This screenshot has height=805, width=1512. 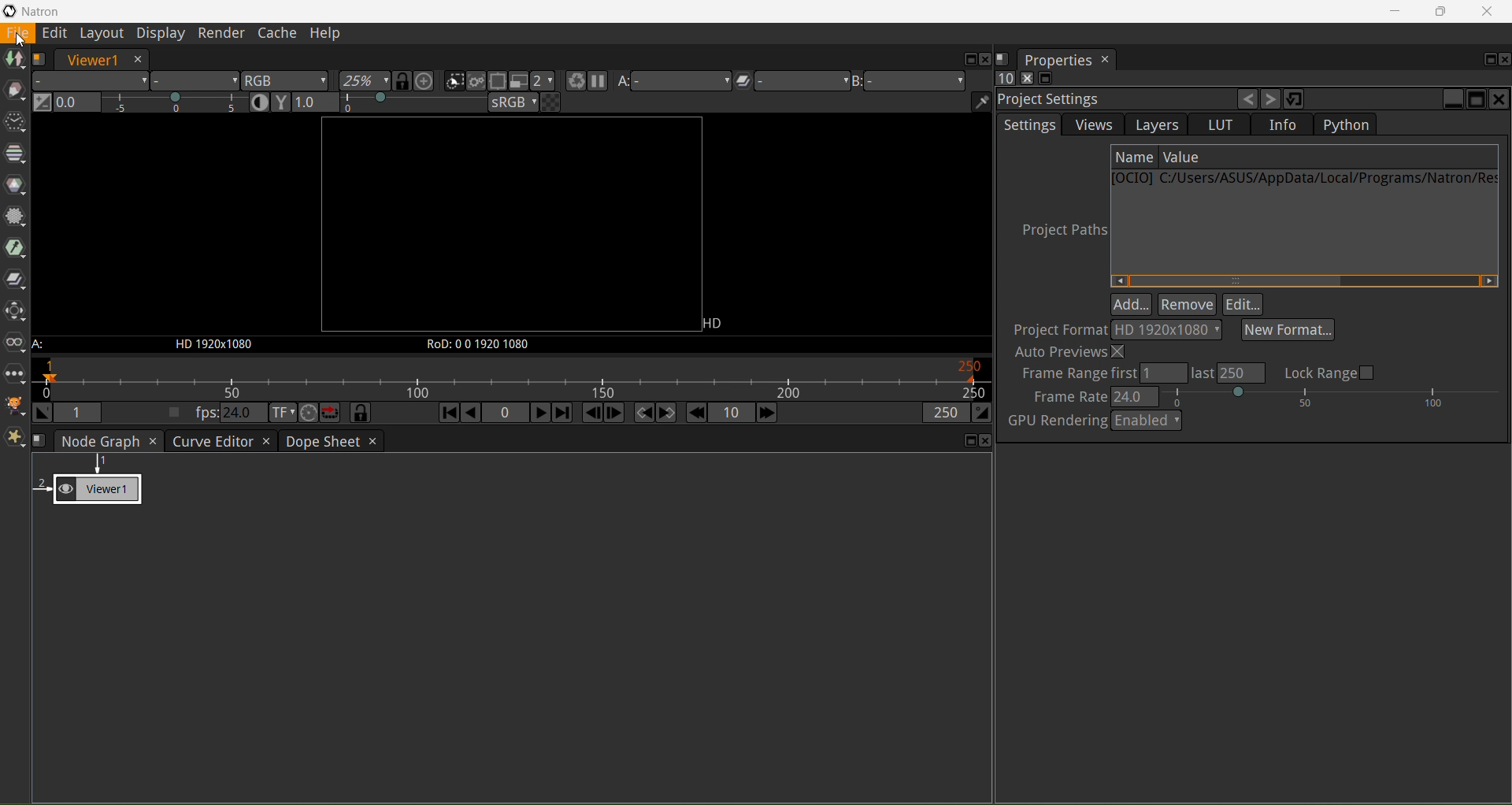 I want to click on The resolution of the input, so click(x=213, y=344).